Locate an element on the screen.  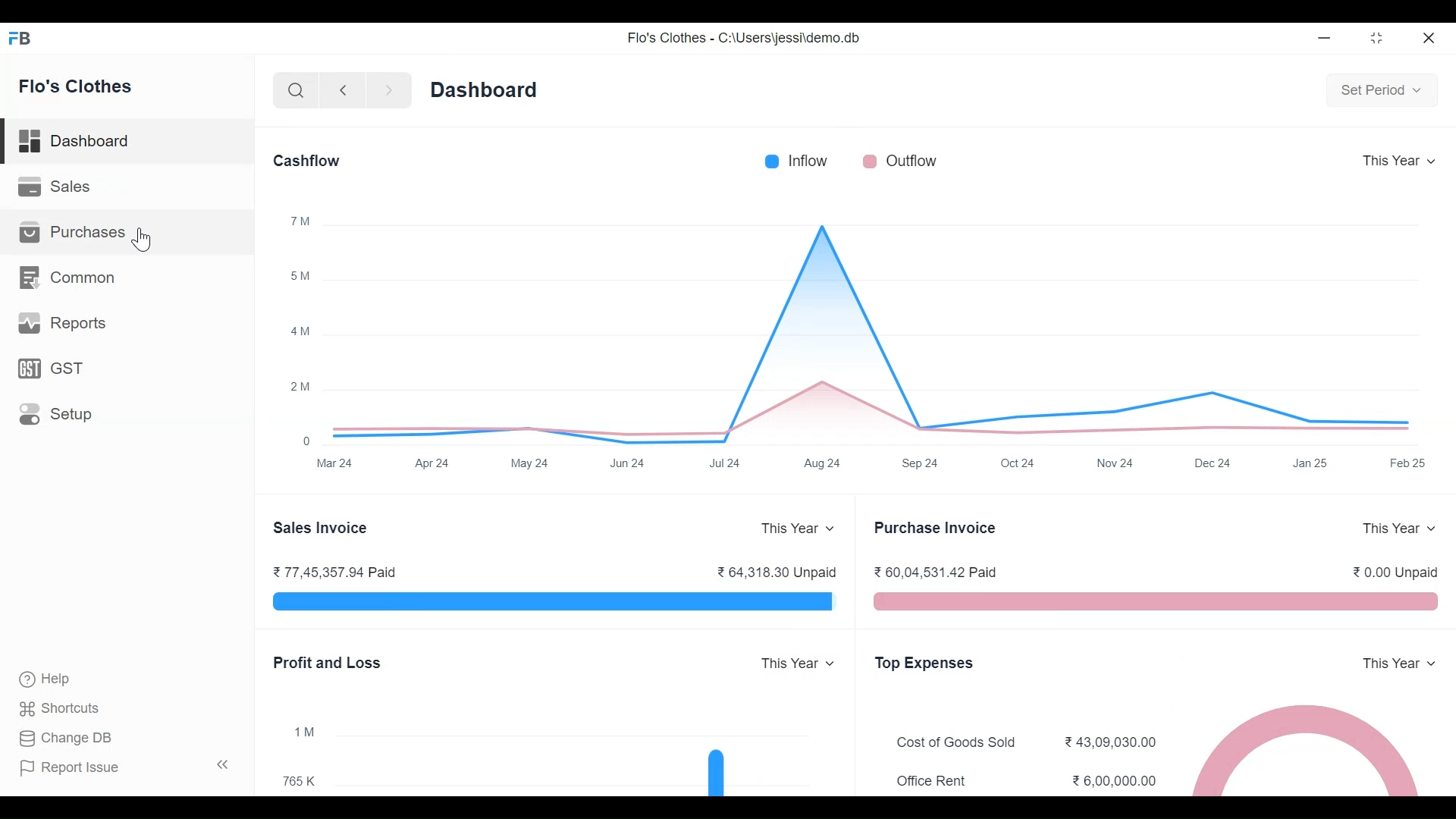
Dashboard is located at coordinates (126, 142).